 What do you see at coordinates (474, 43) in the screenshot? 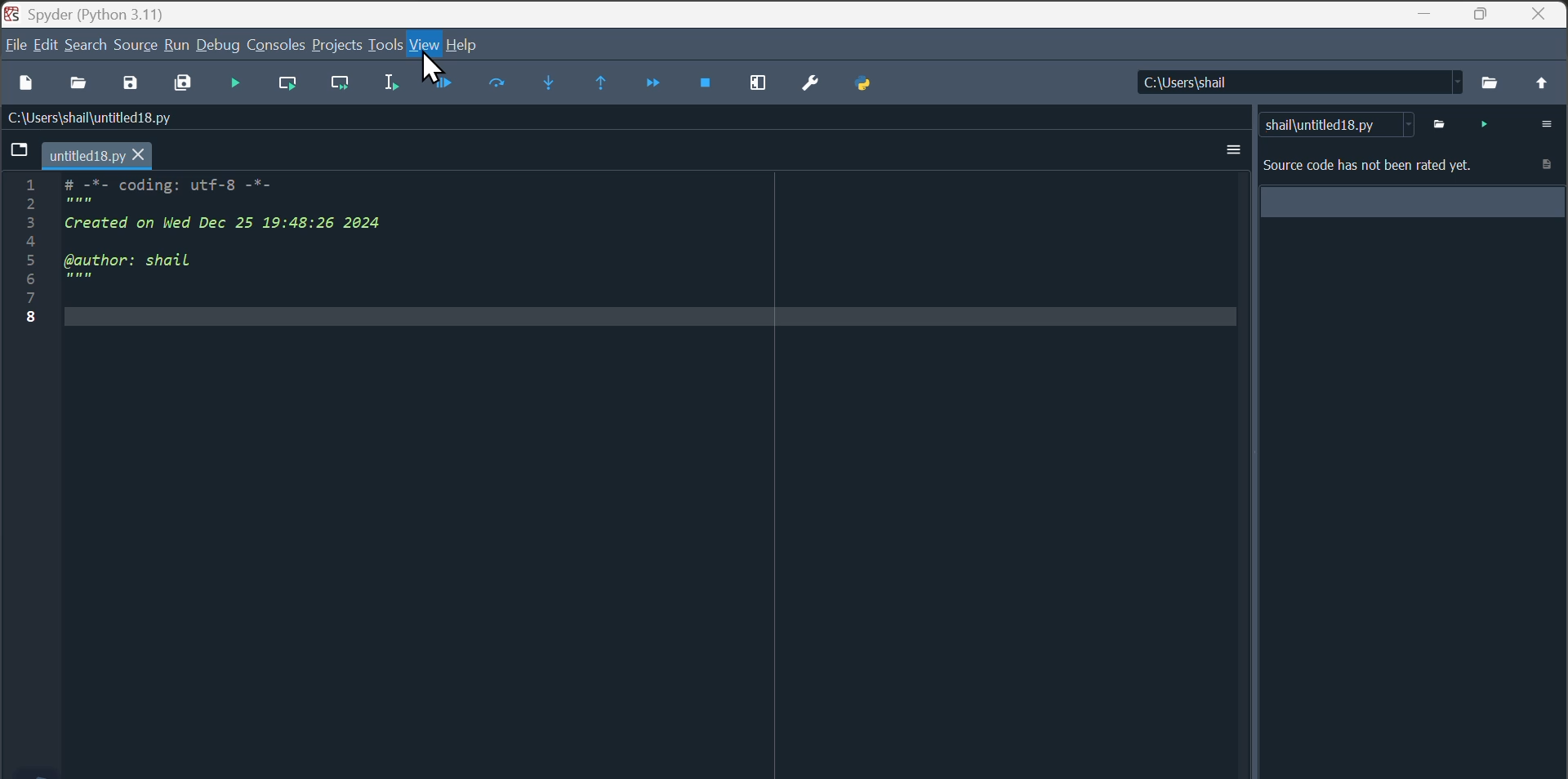
I see `help` at bounding box center [474, 43].